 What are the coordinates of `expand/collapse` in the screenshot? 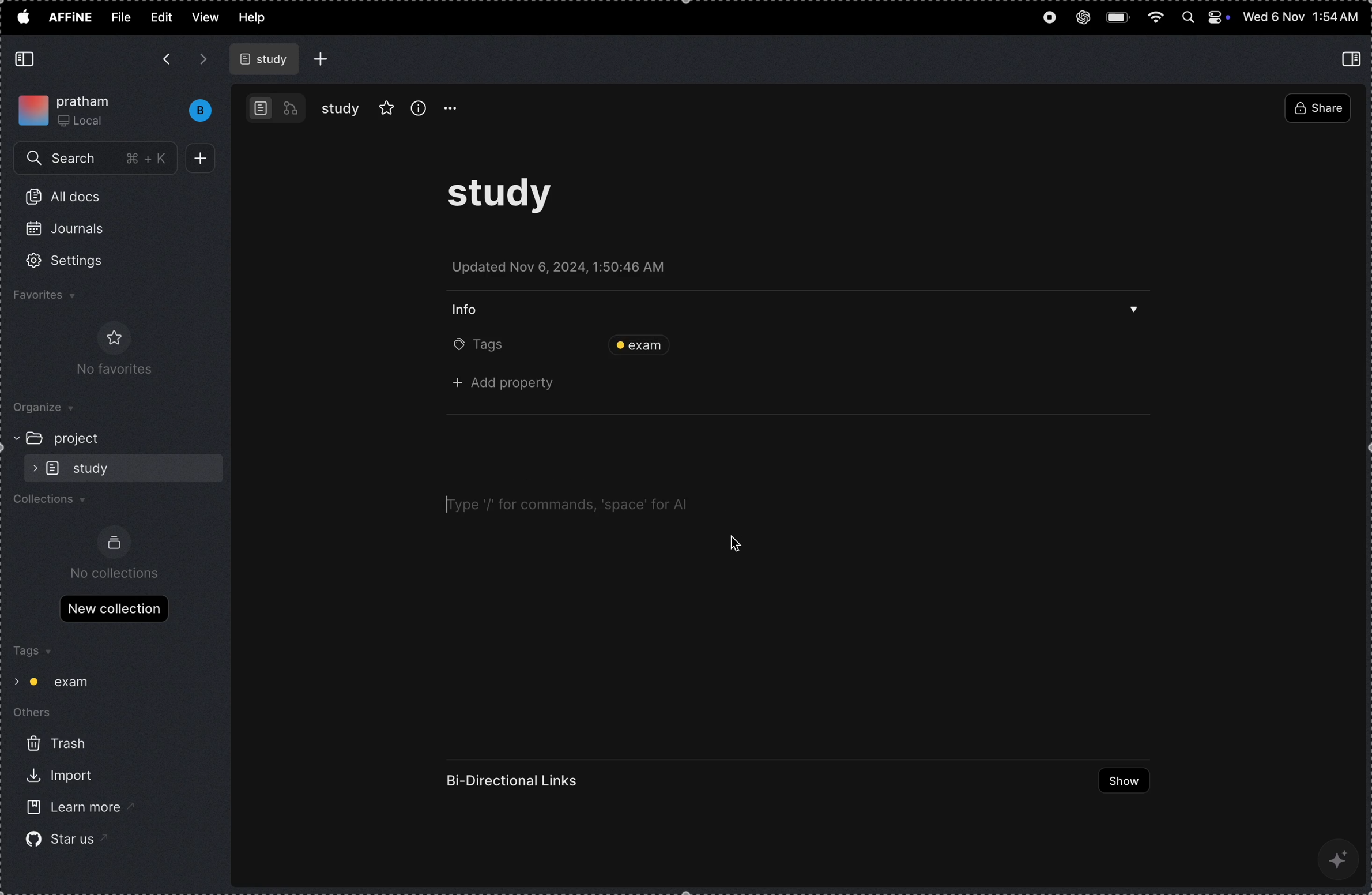 It's located at (31, 468).